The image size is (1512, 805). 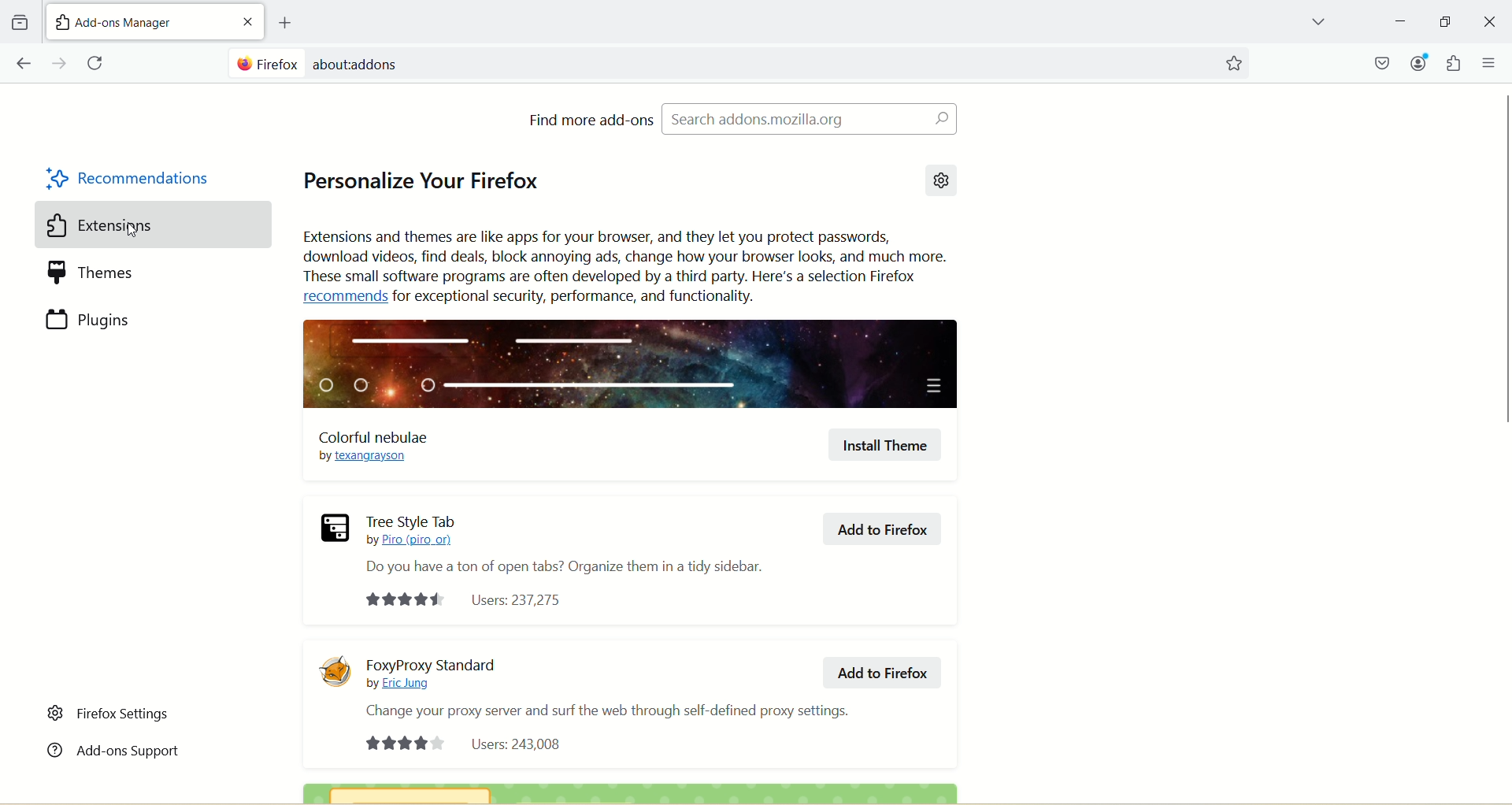 What do you see at coordinates (467, 743) in the screenshot?
I see `Users: 243,008` at bounding box center [467, 743].